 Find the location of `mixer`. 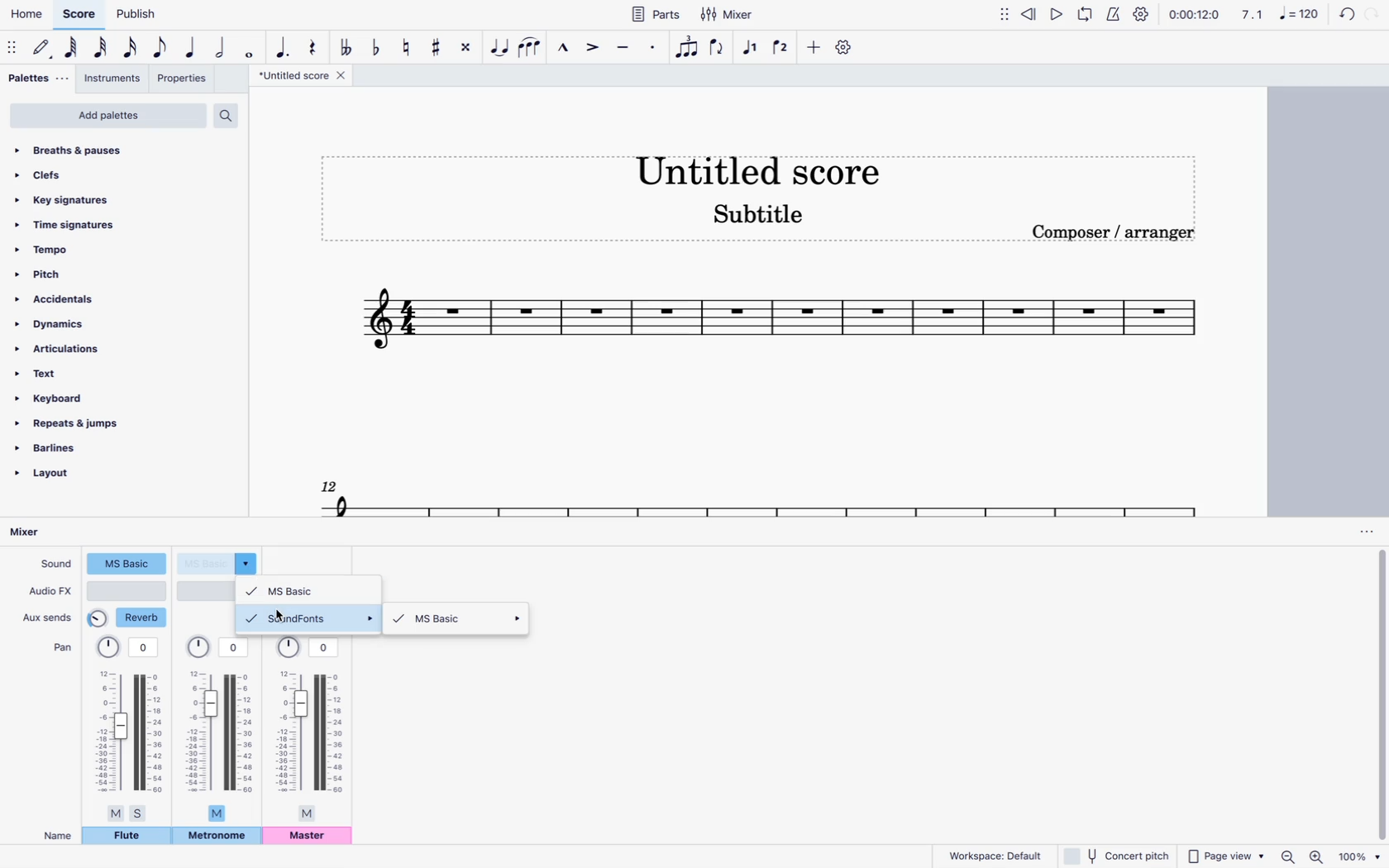

mixer is located at coordinates (32, 532).